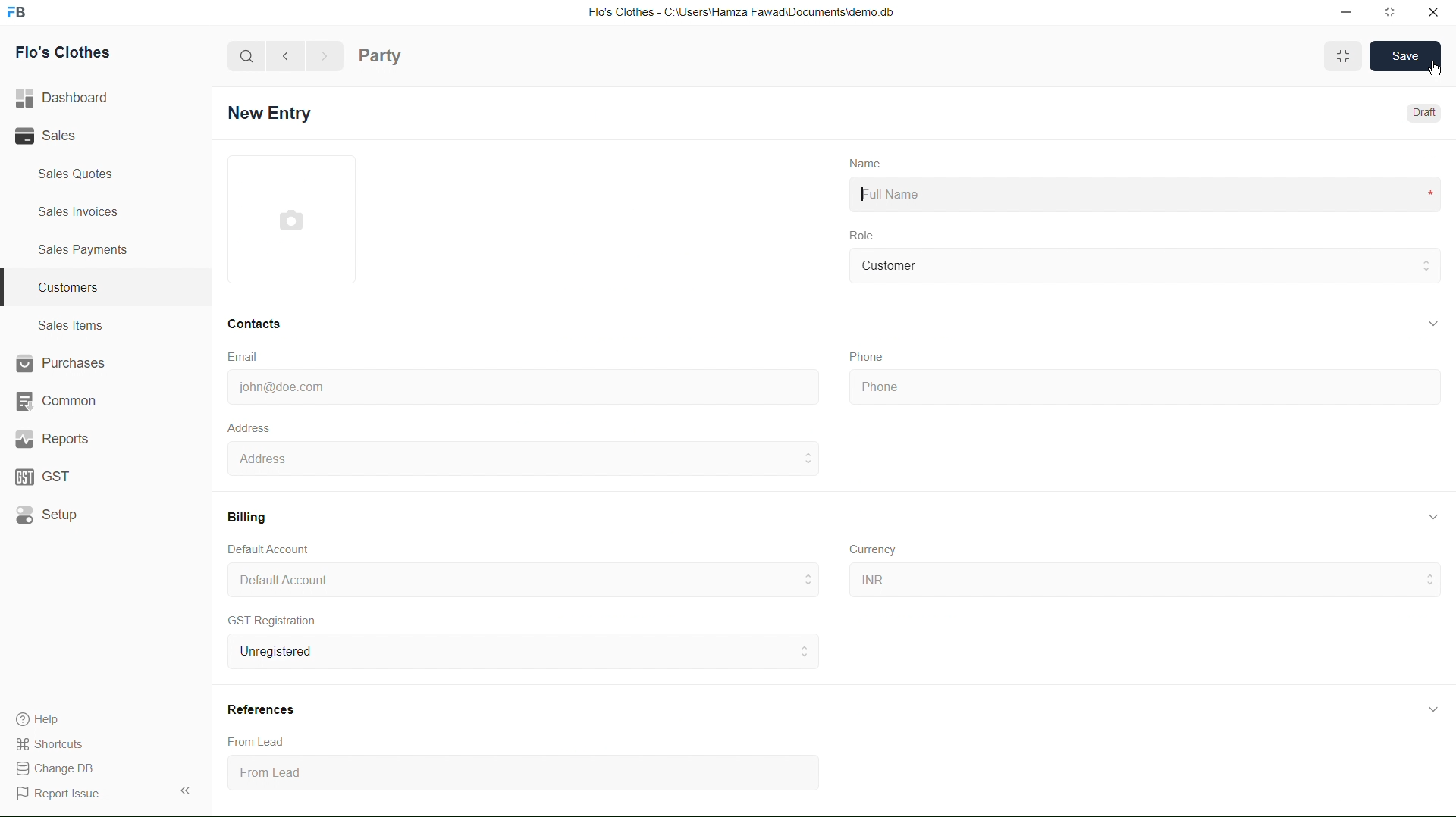  I want to click on Purchases, so click(62, 363).